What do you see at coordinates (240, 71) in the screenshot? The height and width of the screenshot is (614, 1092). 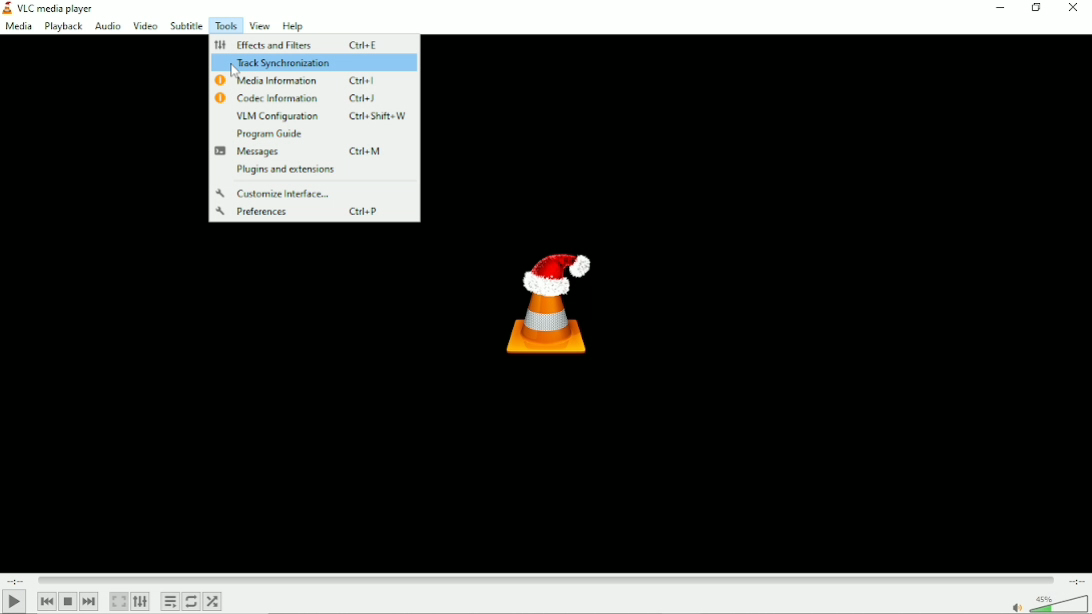 I see `Cursor` at bounding box center [240, 71].